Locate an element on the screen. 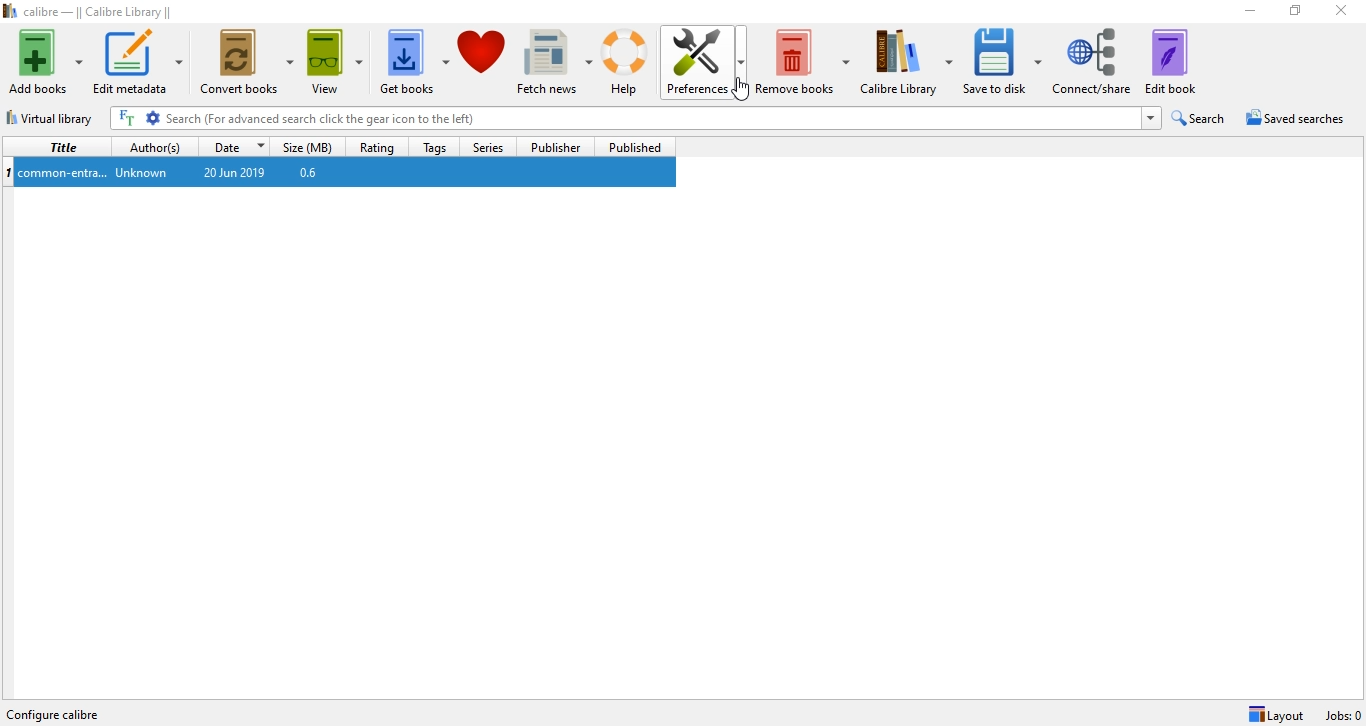  Author(s) is located at coordinates (156, 145).